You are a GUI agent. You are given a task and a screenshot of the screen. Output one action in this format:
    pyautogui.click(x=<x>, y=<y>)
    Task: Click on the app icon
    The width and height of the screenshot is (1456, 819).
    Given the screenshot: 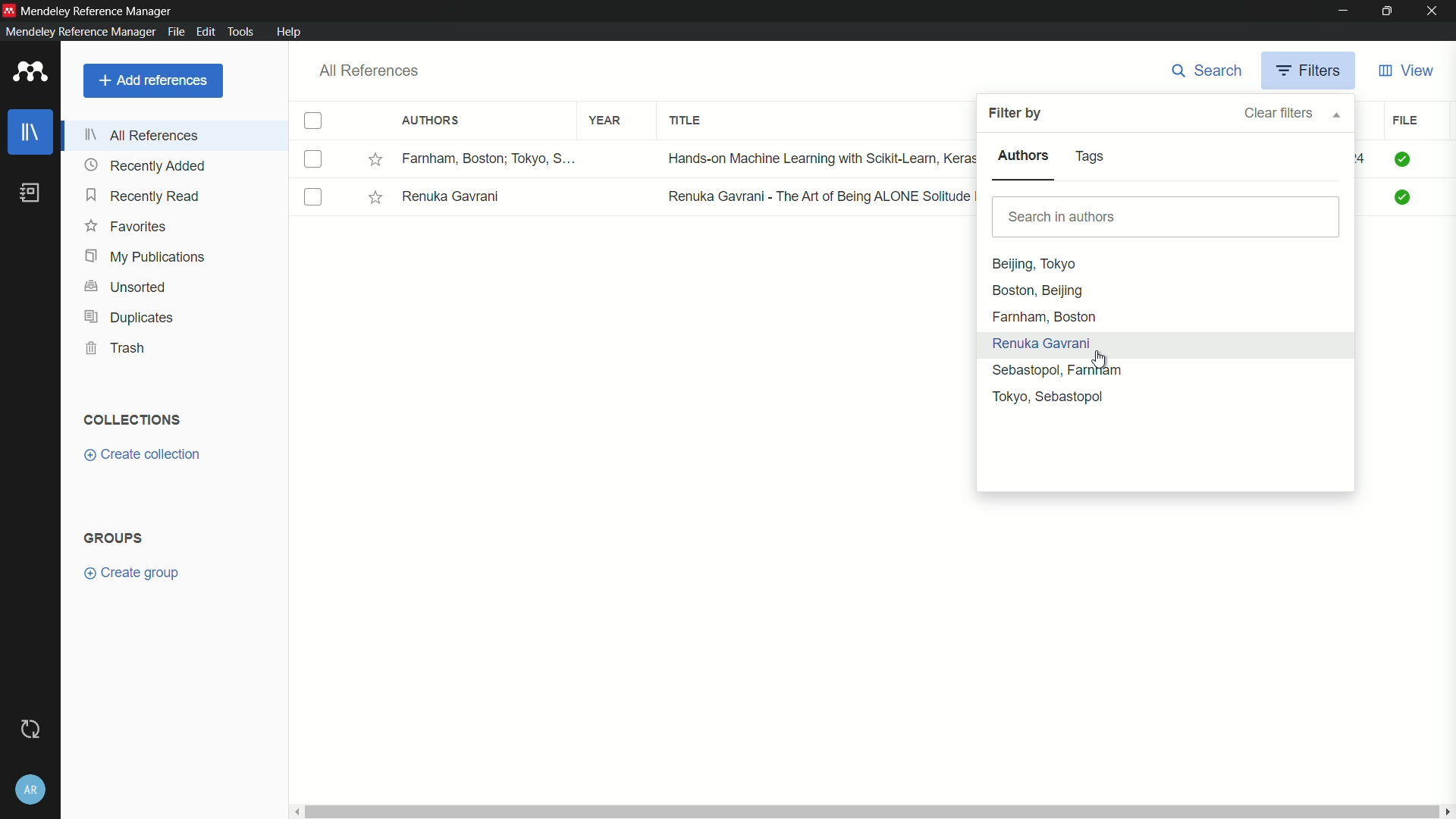 What is the action you would take?
    pyautogui.click(x=33, y=73)
    